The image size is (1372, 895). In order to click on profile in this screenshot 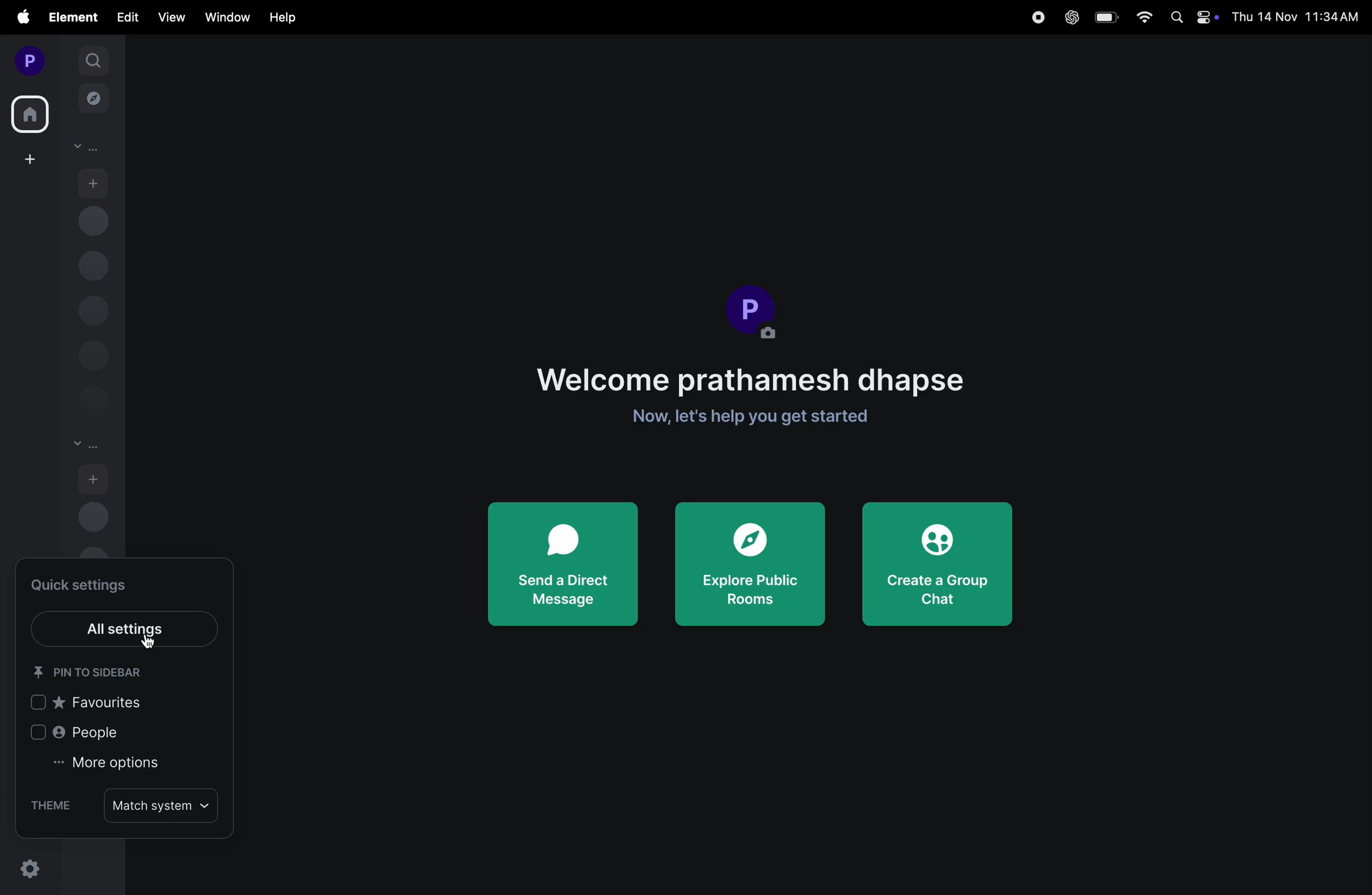, I will do `click(754, 313)`.